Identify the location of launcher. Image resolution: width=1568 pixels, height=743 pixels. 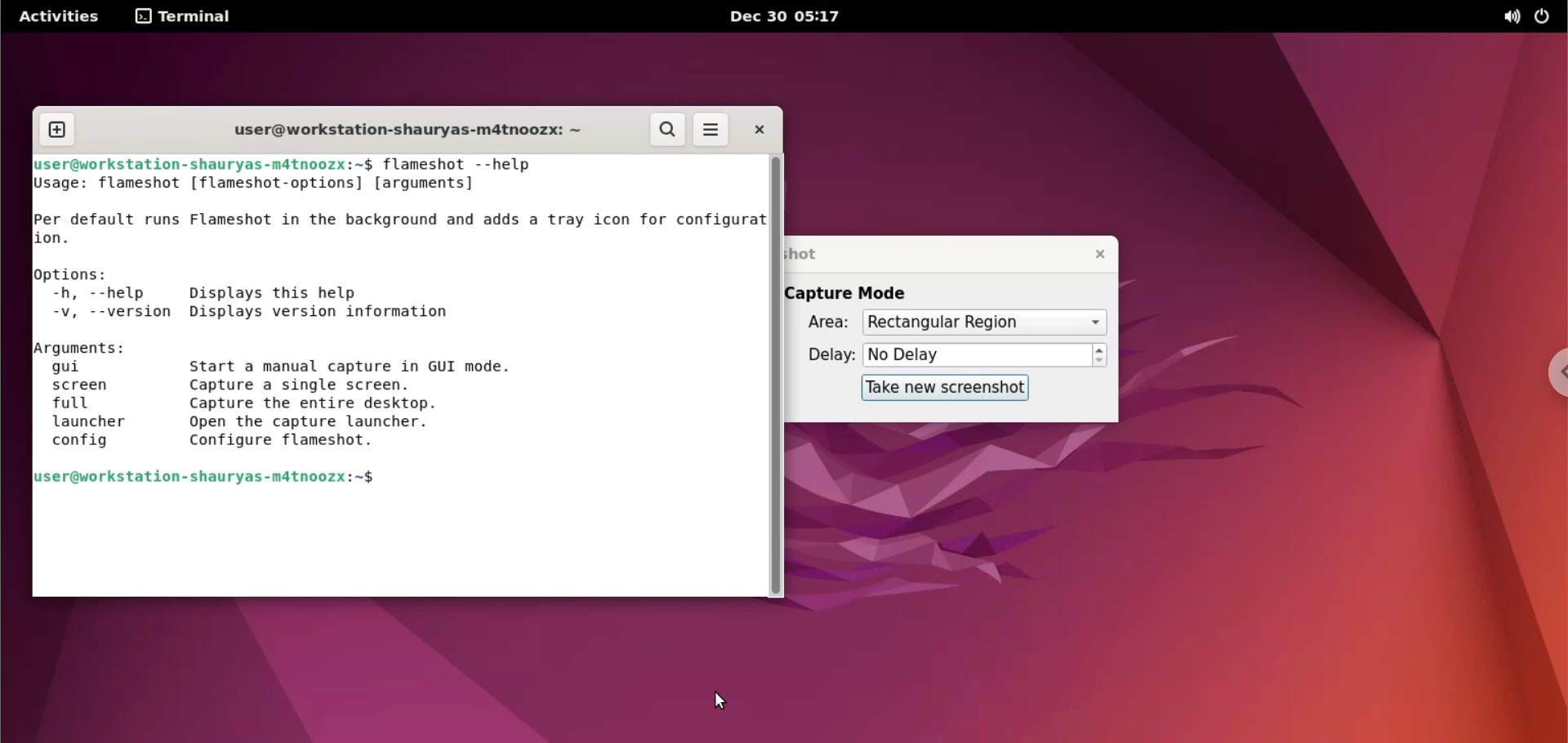
(90, 423).